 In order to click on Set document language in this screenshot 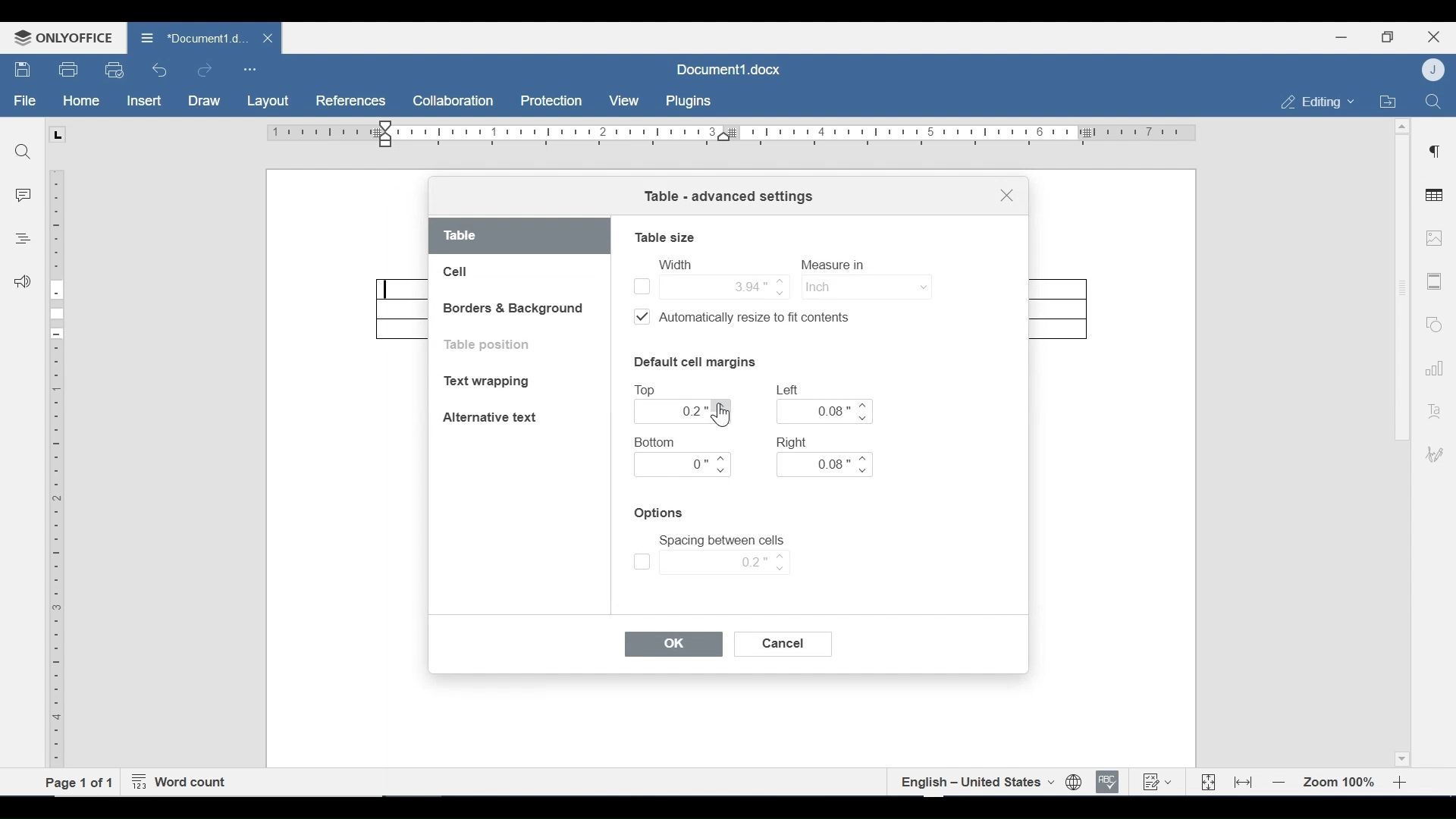, I will do `click(1075, 783)`.